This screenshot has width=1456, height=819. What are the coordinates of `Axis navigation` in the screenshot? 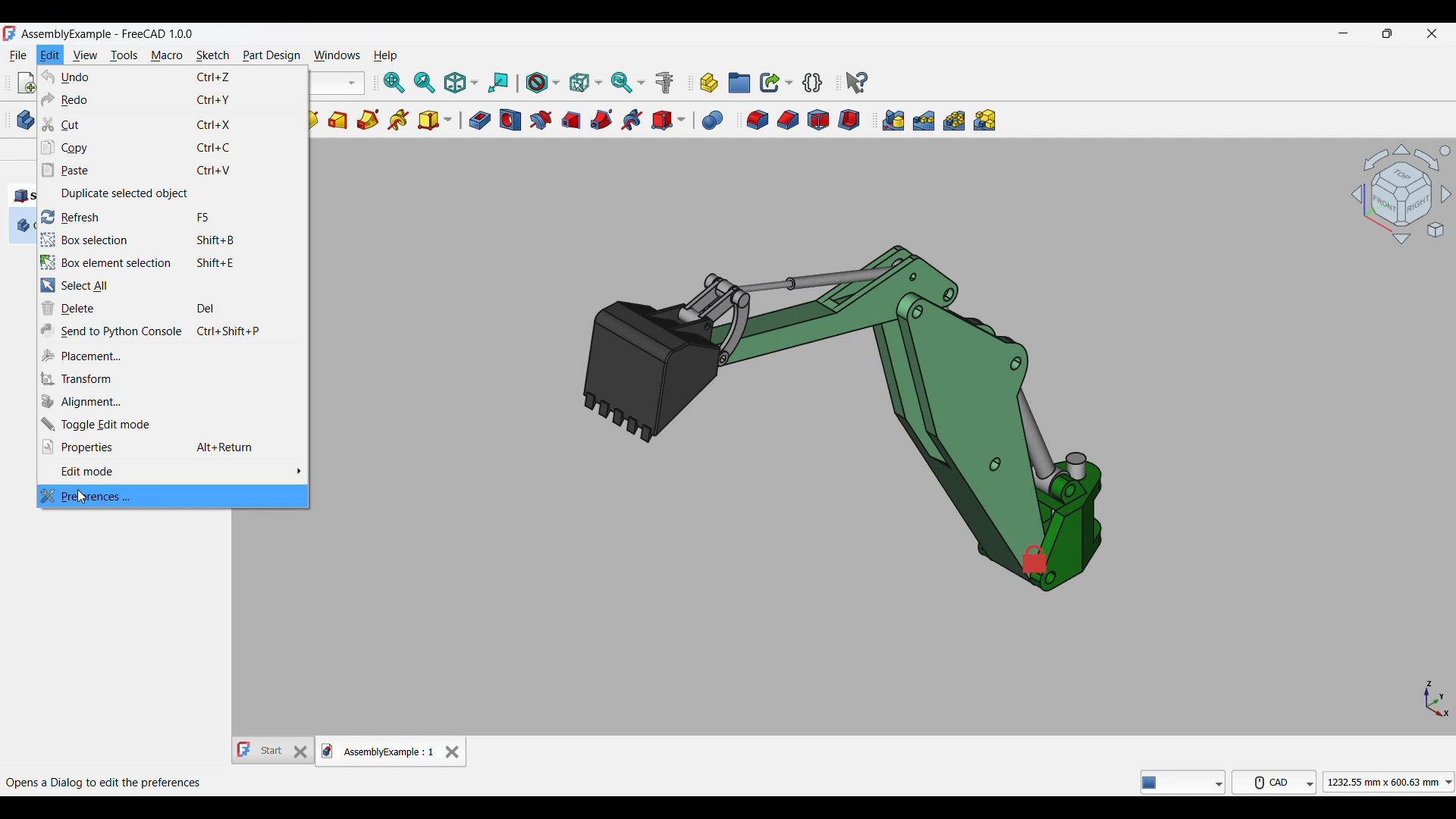 It's located at (1438, 699).